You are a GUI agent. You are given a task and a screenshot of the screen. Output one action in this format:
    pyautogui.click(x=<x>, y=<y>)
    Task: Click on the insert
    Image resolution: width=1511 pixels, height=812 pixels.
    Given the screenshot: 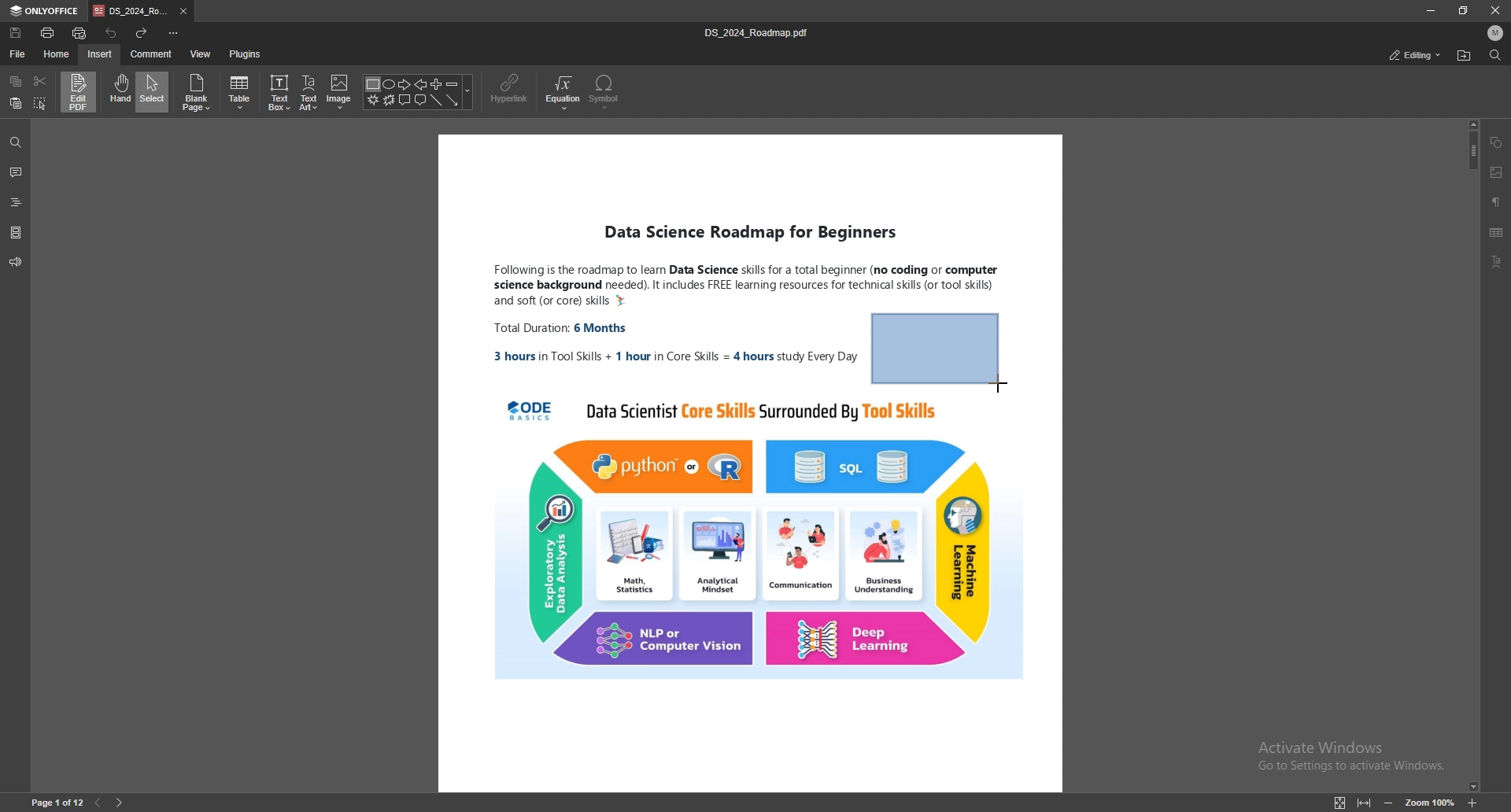 What is the action you would take?
    pyautogui.click(x=99, y=55)
    